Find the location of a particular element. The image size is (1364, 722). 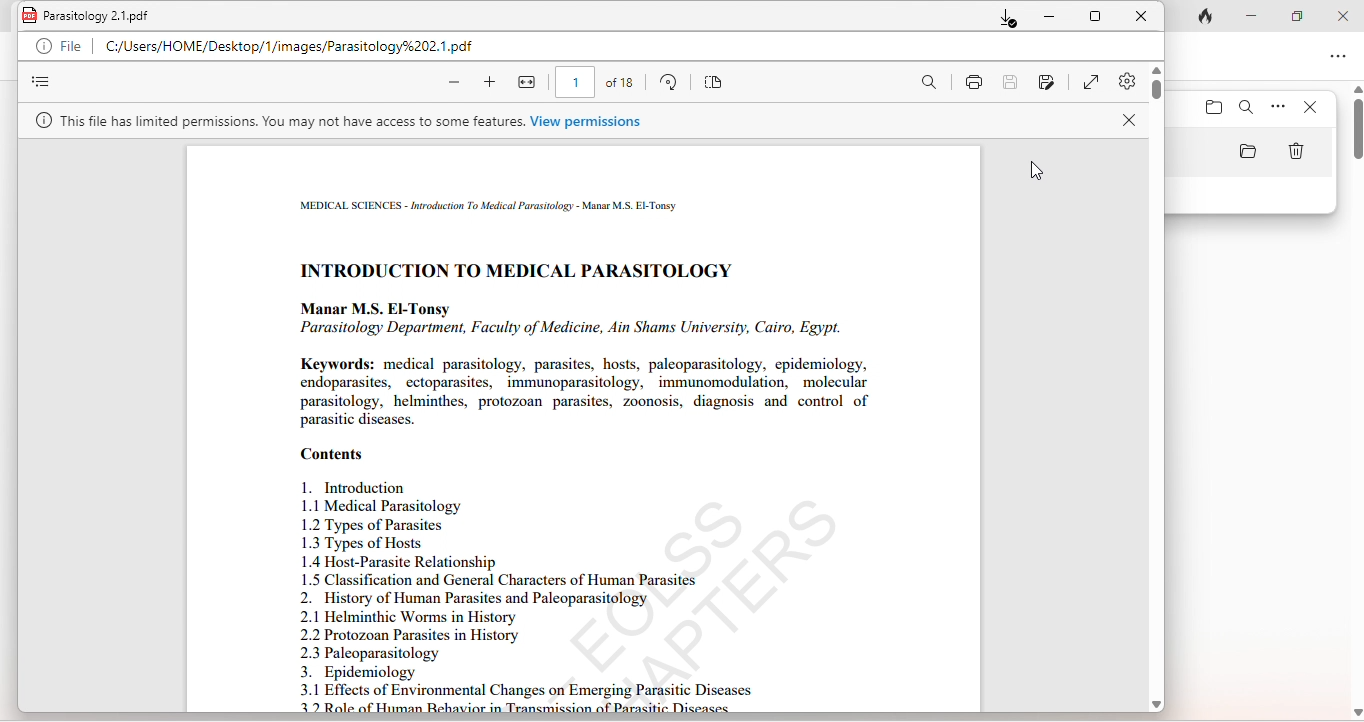

option is located at coordinates (1277, 108).